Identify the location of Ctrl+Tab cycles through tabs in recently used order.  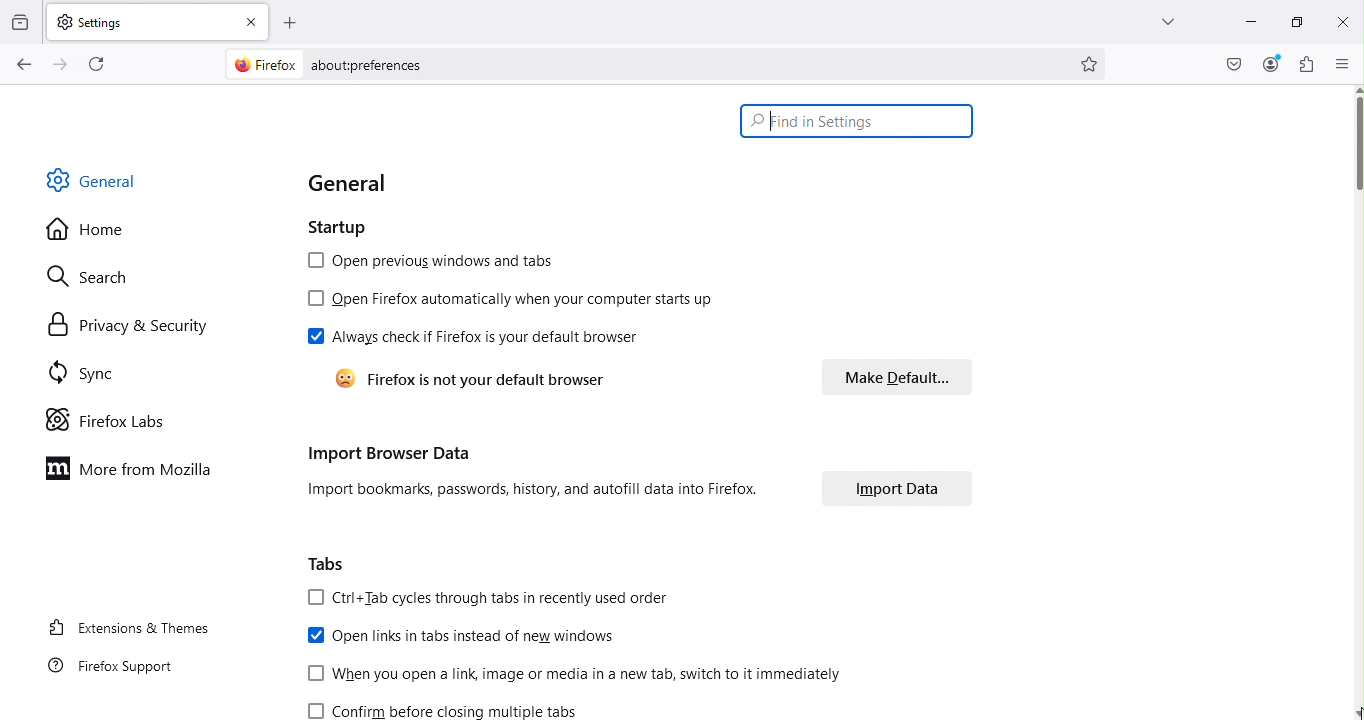
(493, 599).